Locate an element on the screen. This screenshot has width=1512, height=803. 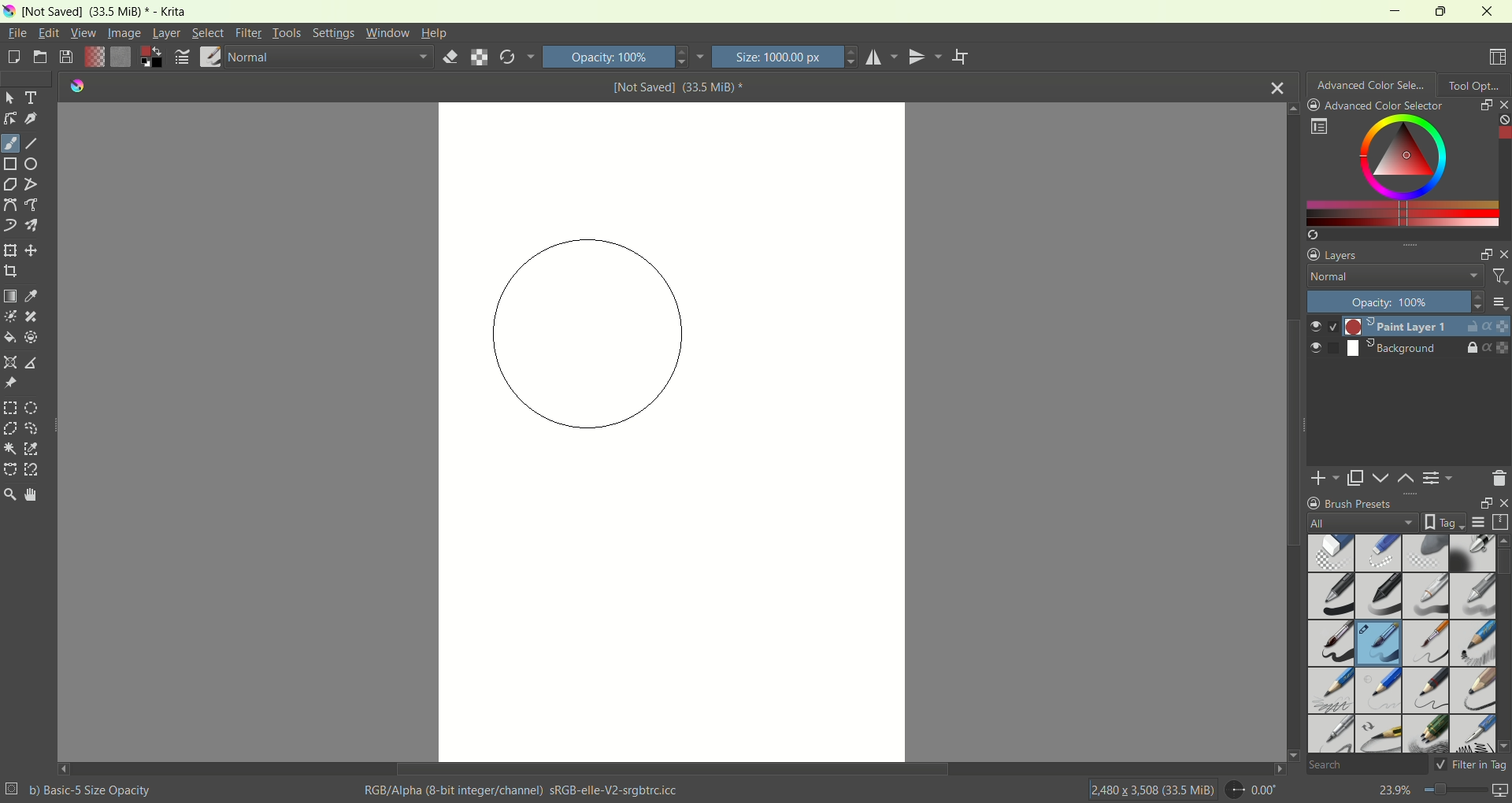
filter in tag is located at coordinates (1471, 764).